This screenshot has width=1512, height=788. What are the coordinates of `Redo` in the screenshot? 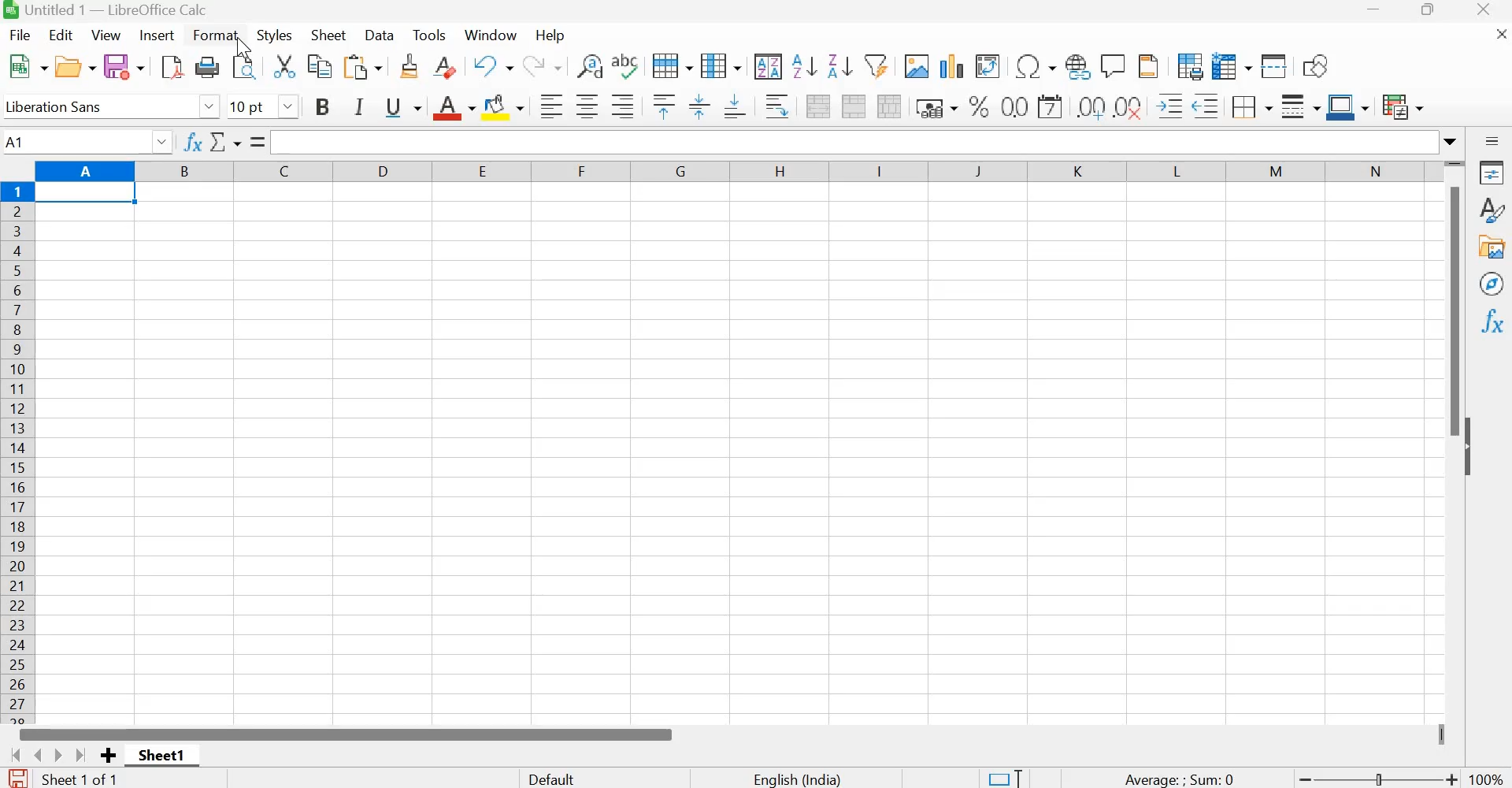 It's located at (546, 67).